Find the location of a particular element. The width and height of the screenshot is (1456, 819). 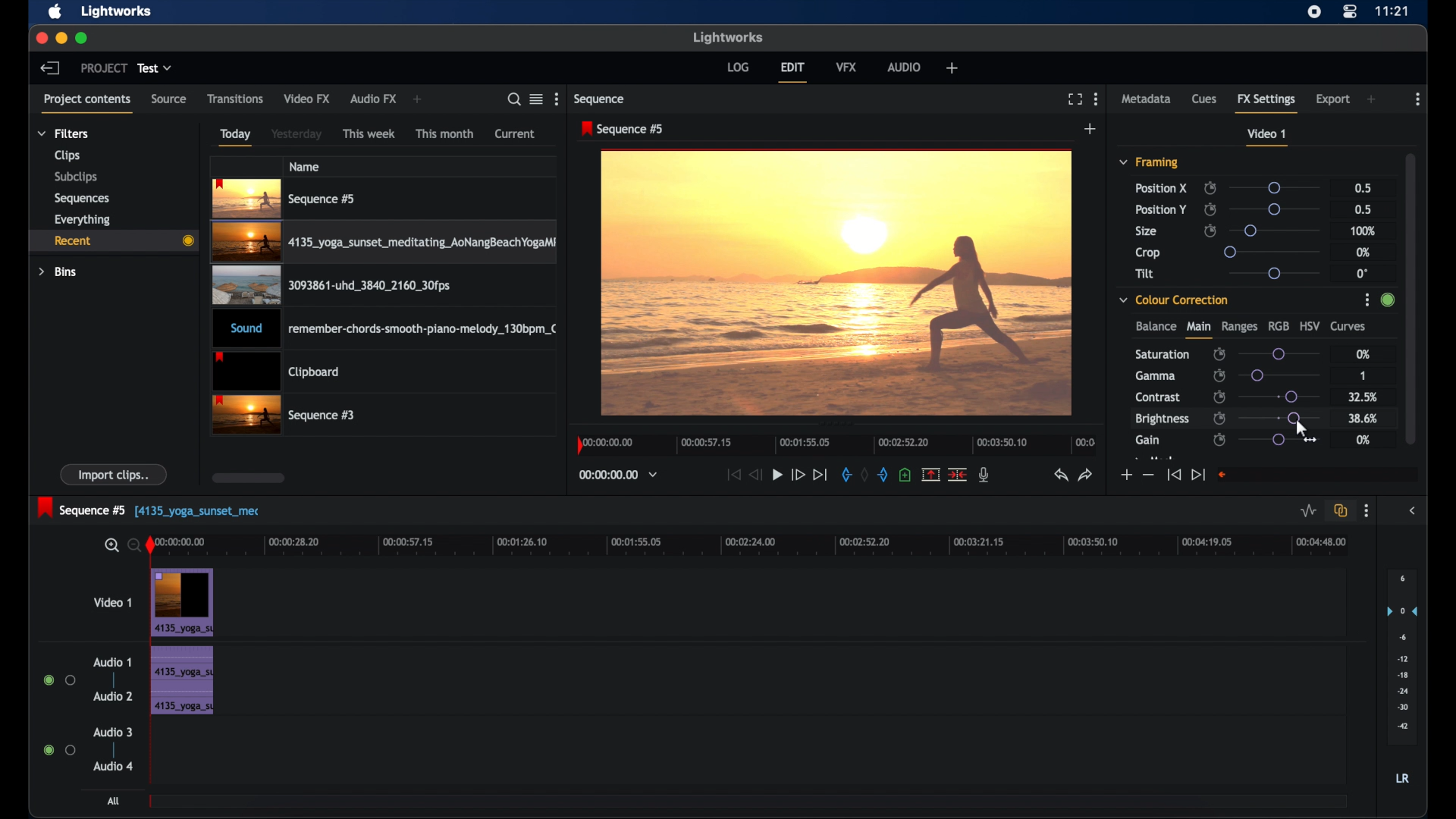

filters dropdown is located at coordinates (67, 134).